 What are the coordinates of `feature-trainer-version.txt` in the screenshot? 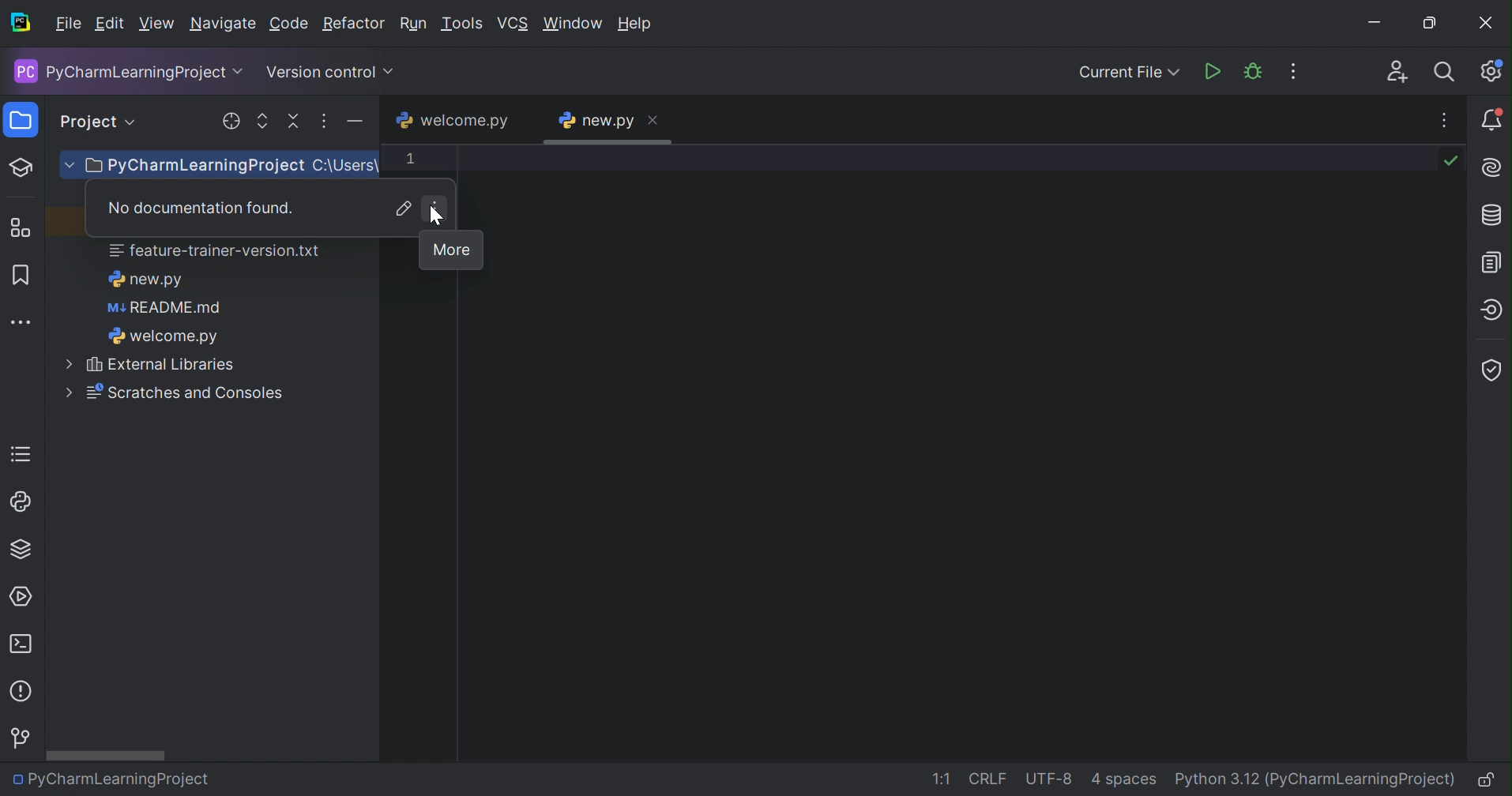 It's located at (216, 253).